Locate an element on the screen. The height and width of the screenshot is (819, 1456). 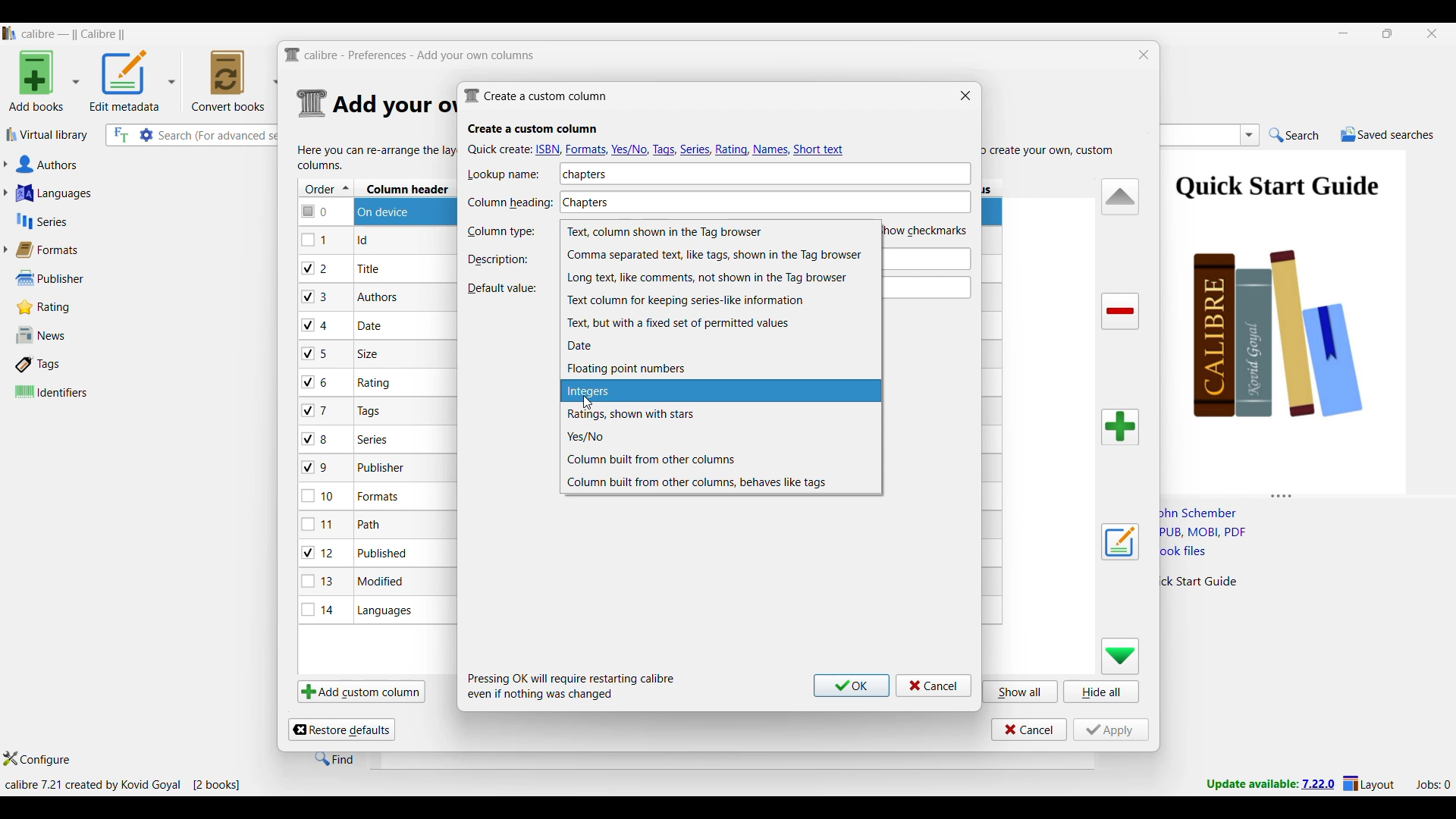
Edit settings of a user defined column is located at coordinates (1120, 542).